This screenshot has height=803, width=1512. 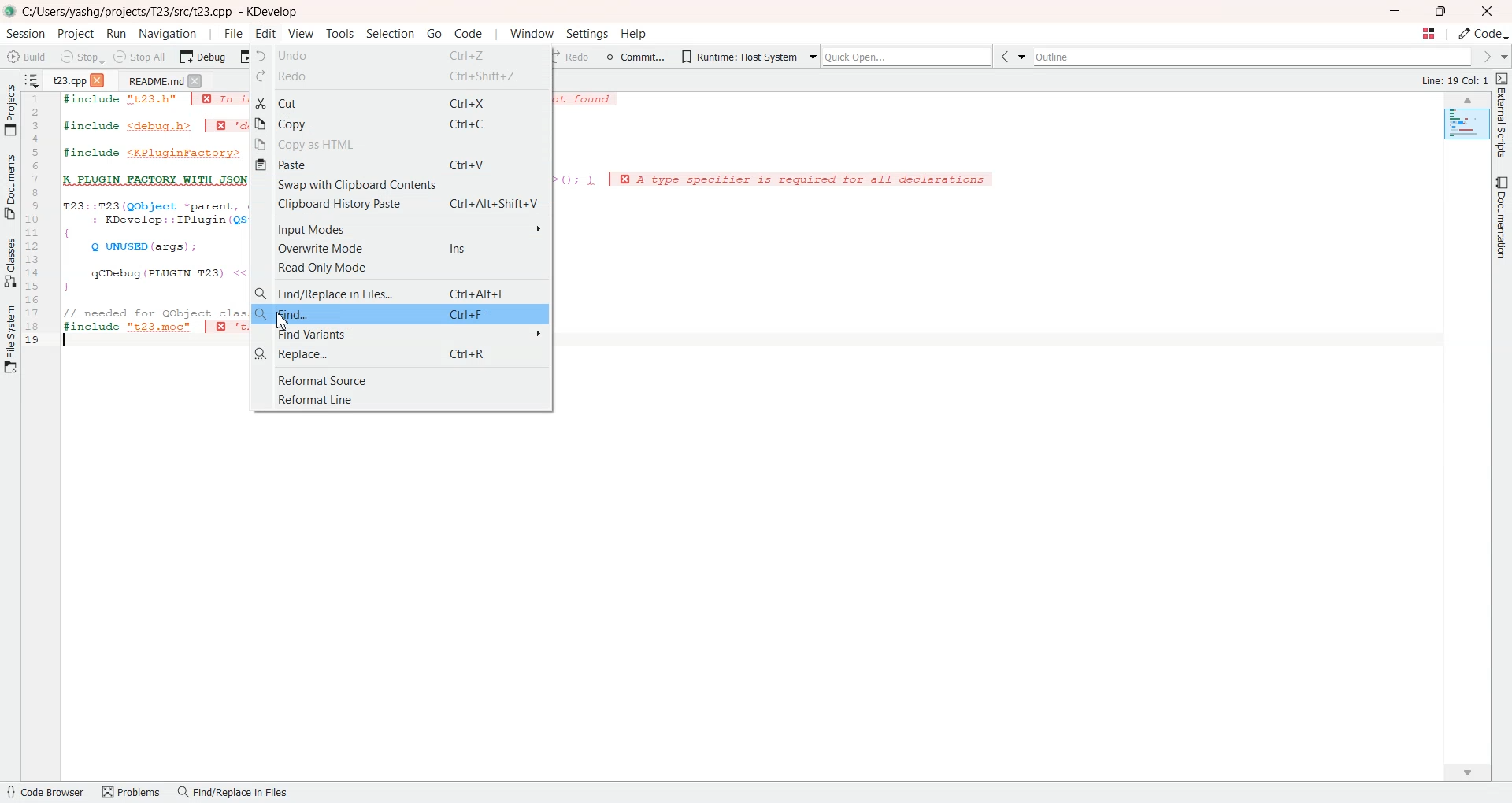 What do you see at coordinates (909, 57) in the screenshot?
I see `Quick open` at bounding box center [909, 57].